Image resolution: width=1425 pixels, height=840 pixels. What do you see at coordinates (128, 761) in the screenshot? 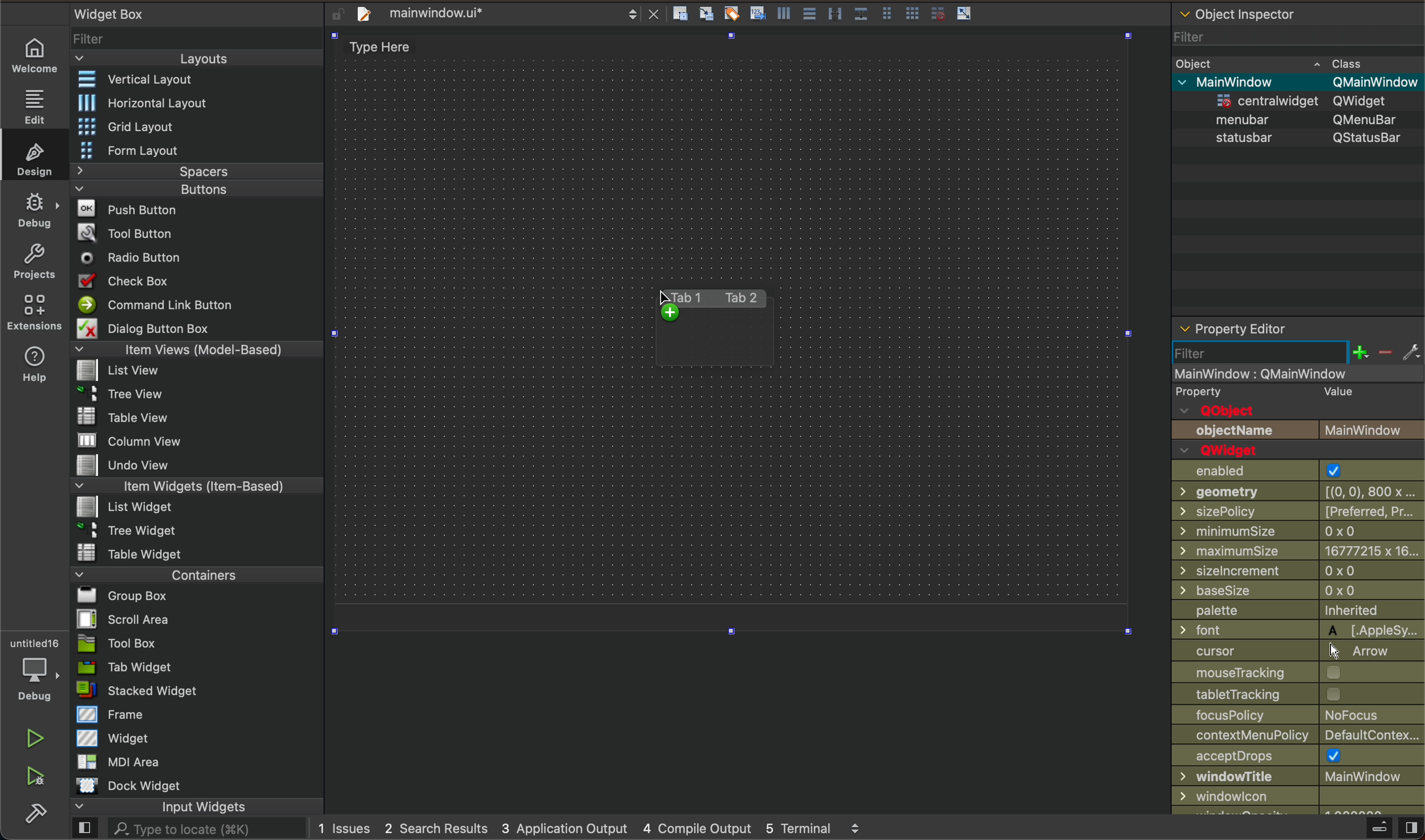
I see ` MDI Area` at bounding box center [128, 761].